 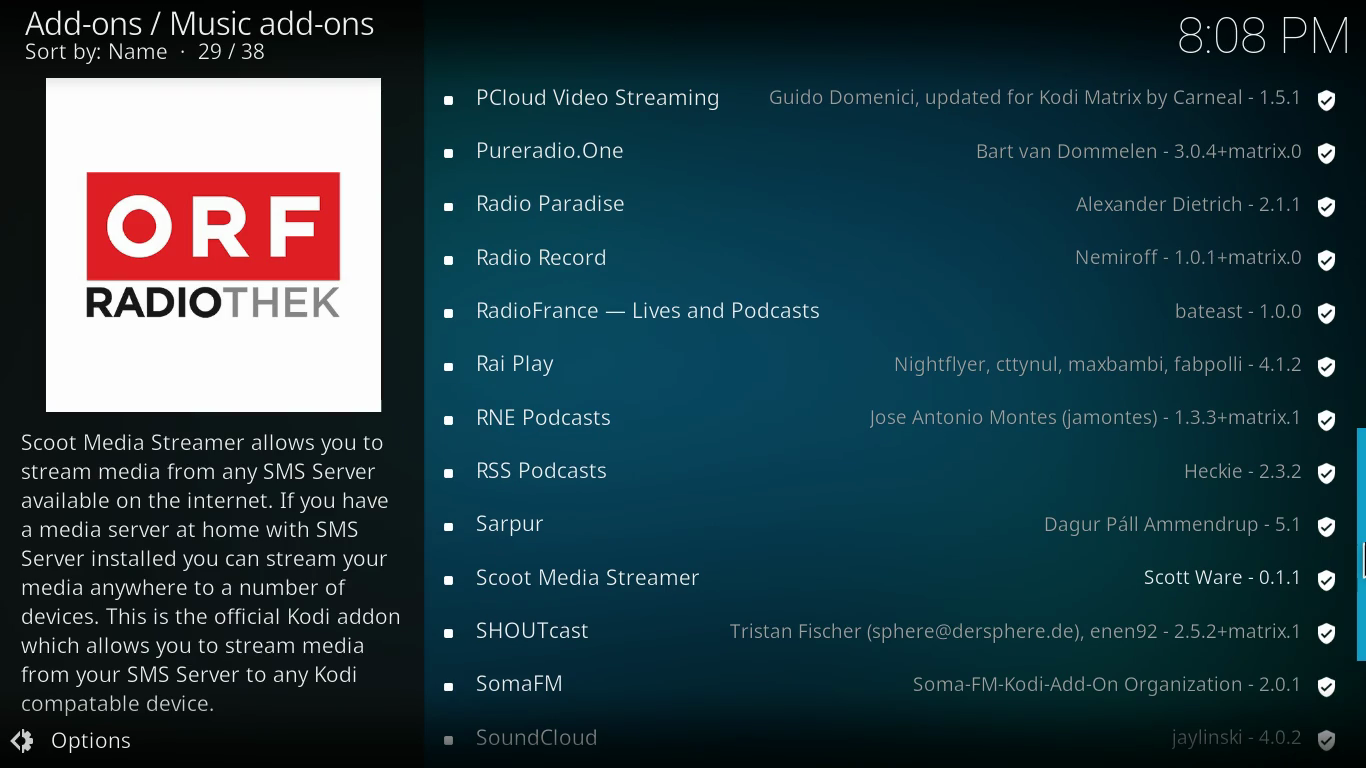 I want to click on add-on, so click(x=506, y=524).